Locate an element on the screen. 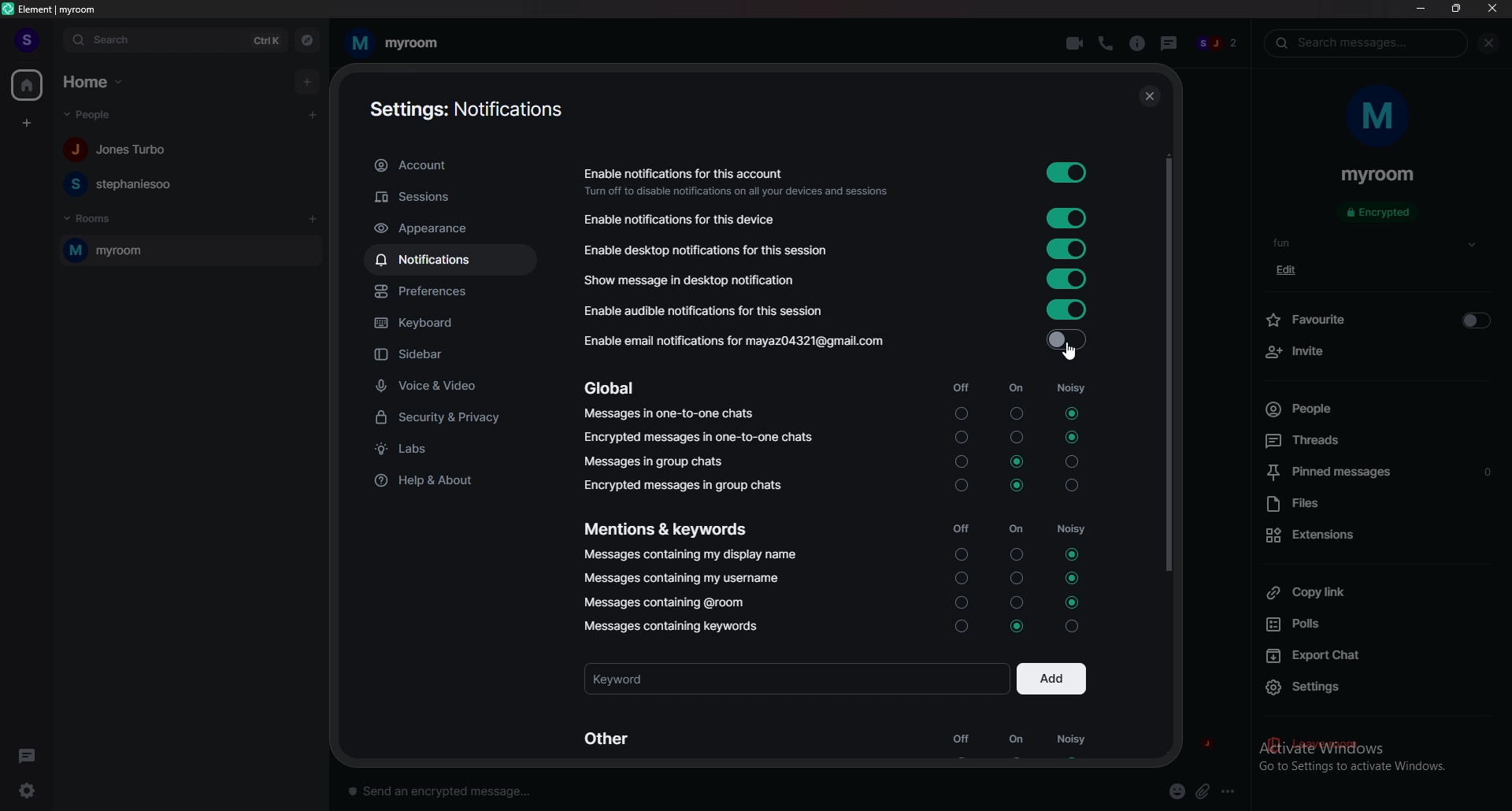 This screenshot has height=811, width=1512. messages in group chats is located at coordinates (658, 461).